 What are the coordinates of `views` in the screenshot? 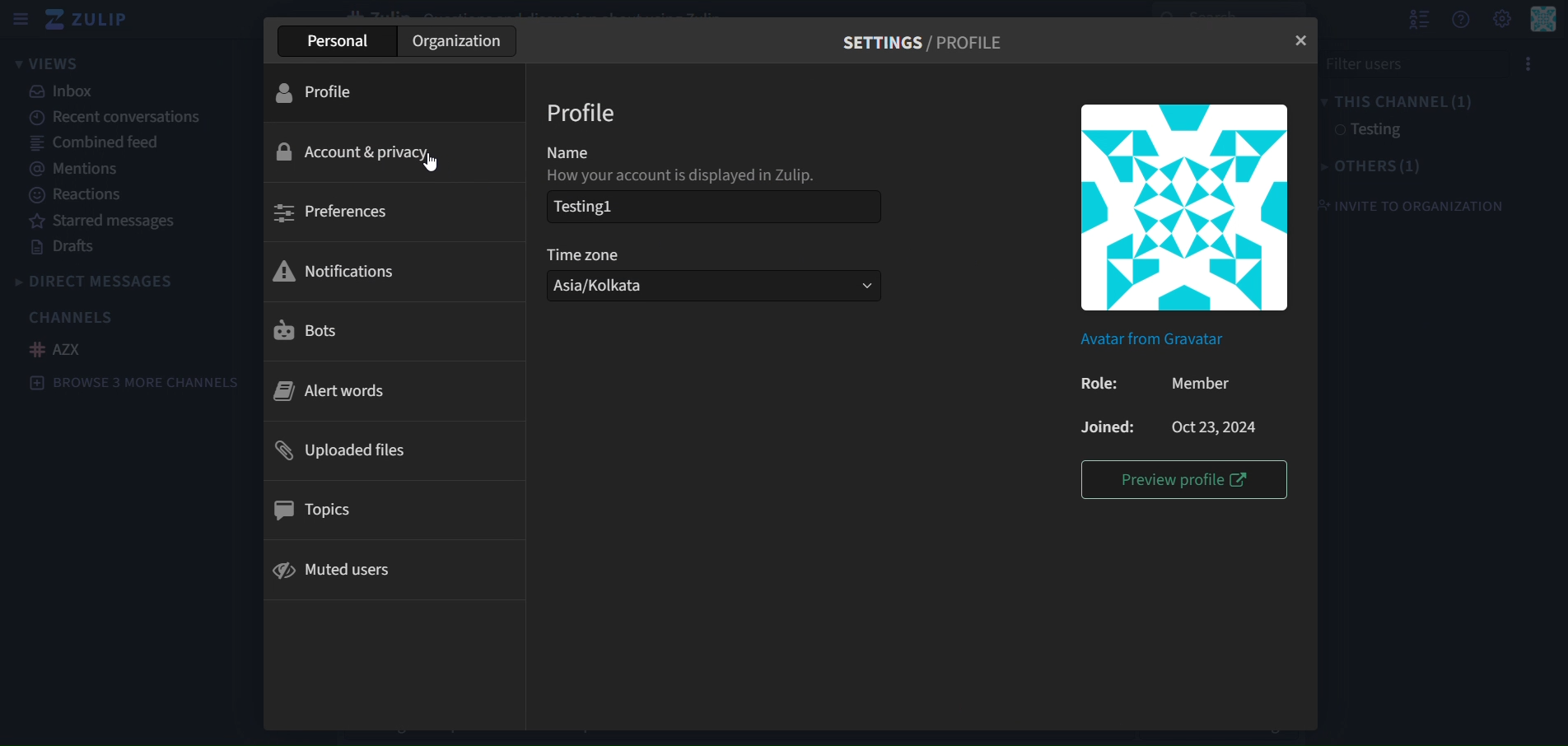 It's located at (49, 64).